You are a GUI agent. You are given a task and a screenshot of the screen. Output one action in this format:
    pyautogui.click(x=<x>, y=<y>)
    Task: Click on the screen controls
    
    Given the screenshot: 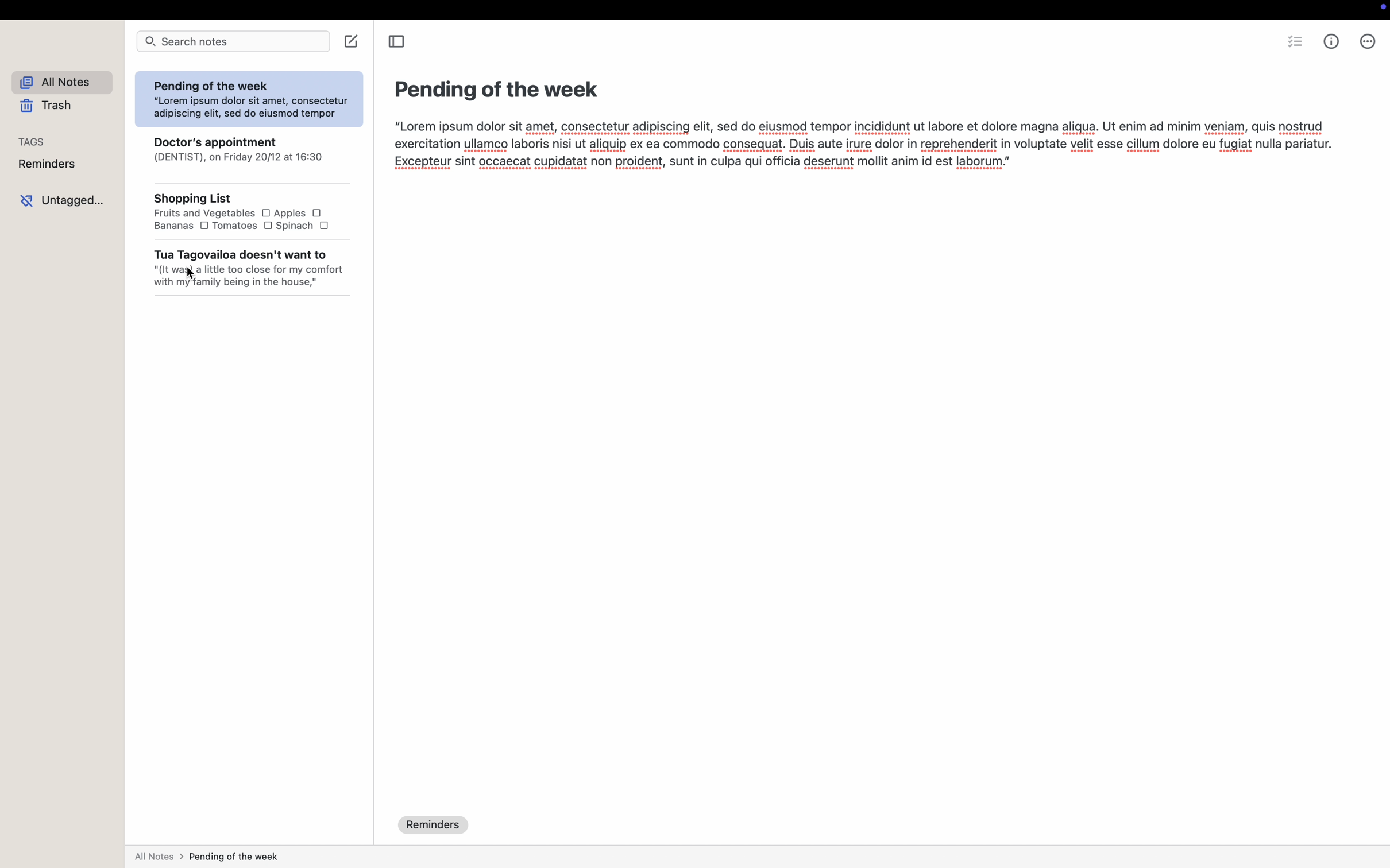 What is the action you would take?
    pyautogui.click(x=1380, y=9)
    